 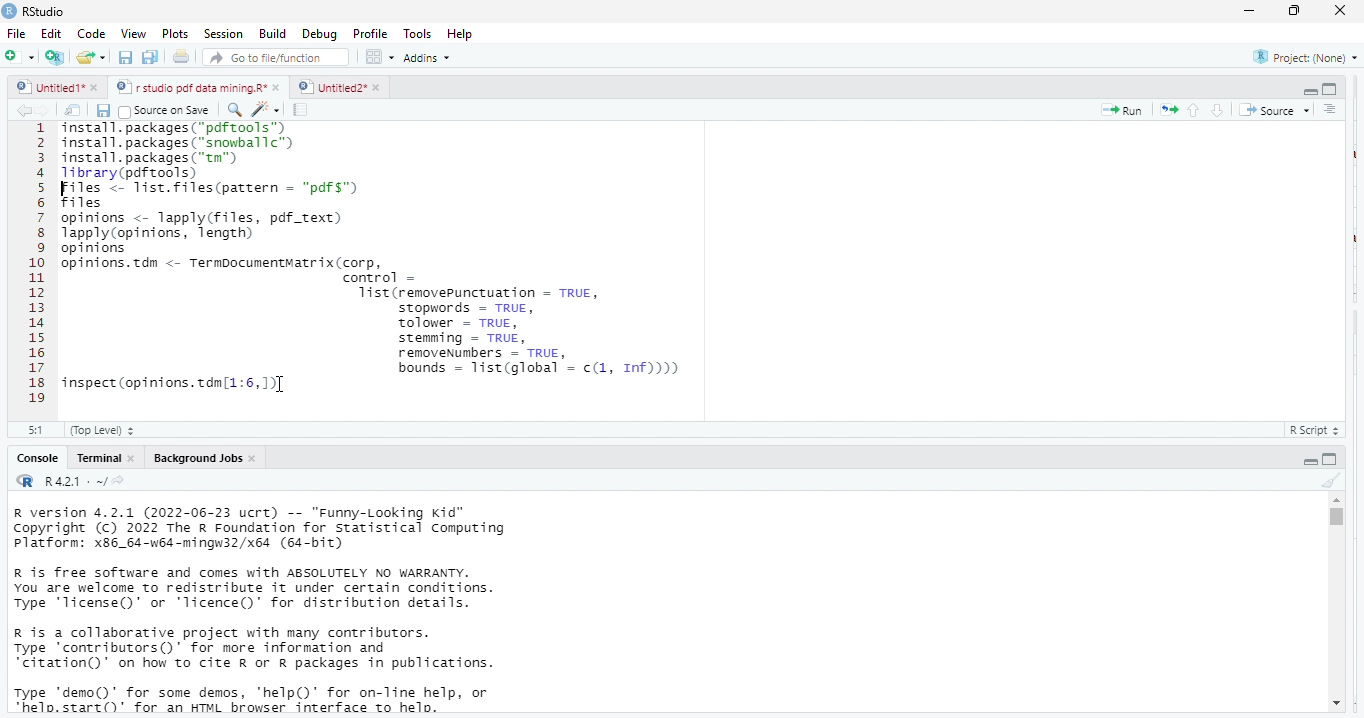 What do you see at coordinates (53, 57) in the screenshot?
I see `create a project` at bounding box center [53, 57].